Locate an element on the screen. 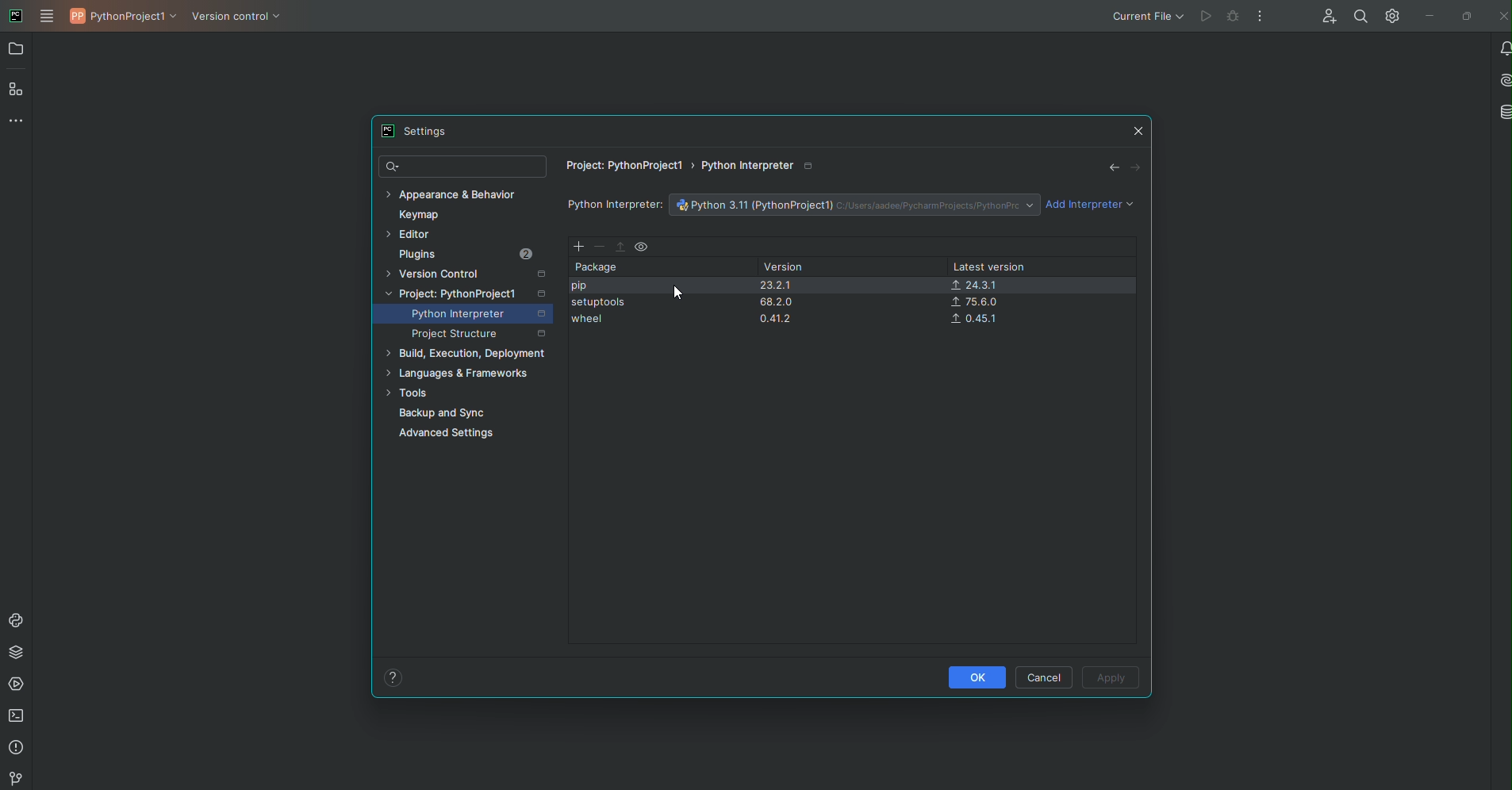 The height and width of the screenshot is (790, 1512). Find is located at coordinates (462, 167).